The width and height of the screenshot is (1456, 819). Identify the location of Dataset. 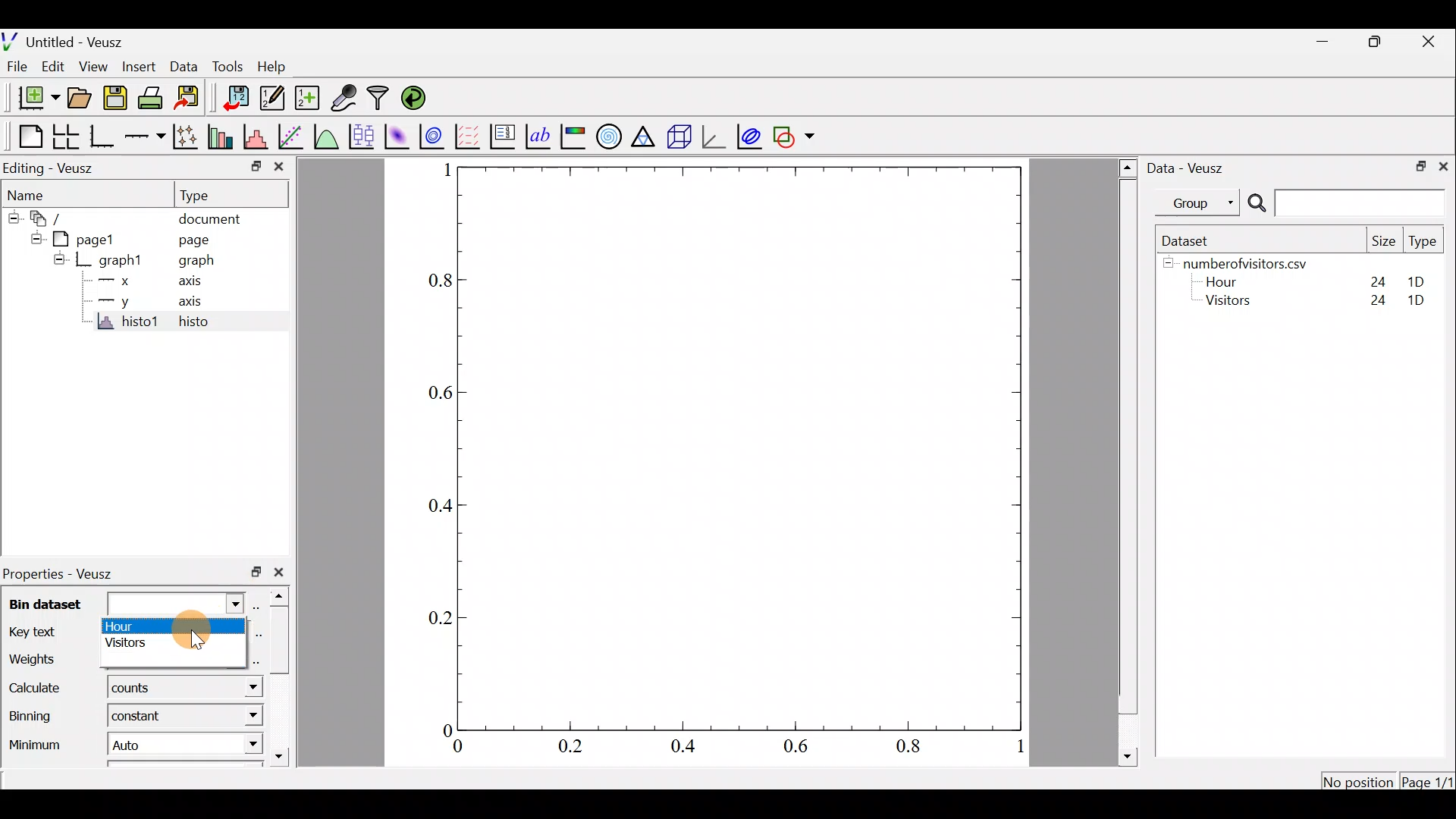
(1195, 240).